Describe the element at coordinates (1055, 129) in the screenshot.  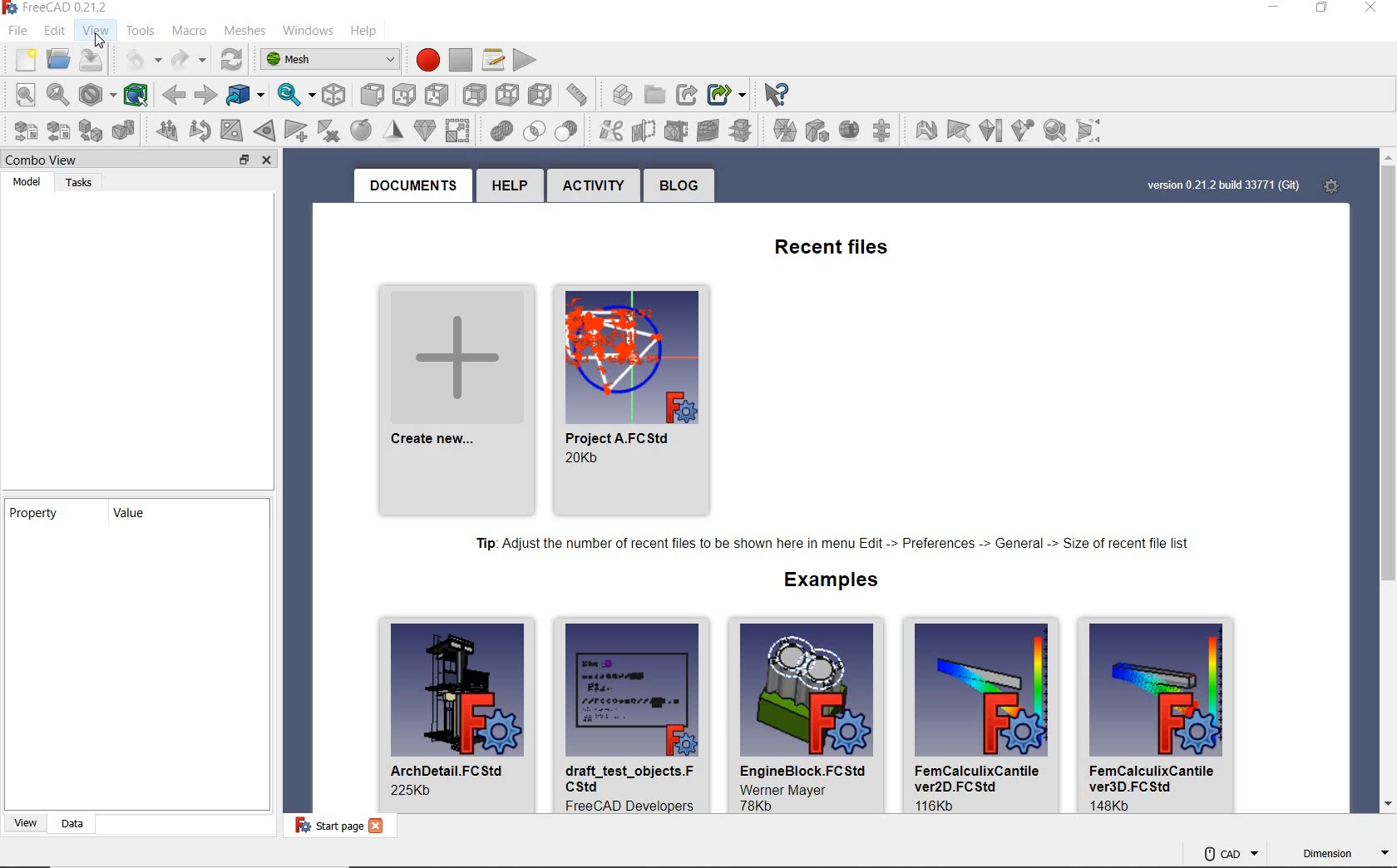
I see `solid mesh` at that location.